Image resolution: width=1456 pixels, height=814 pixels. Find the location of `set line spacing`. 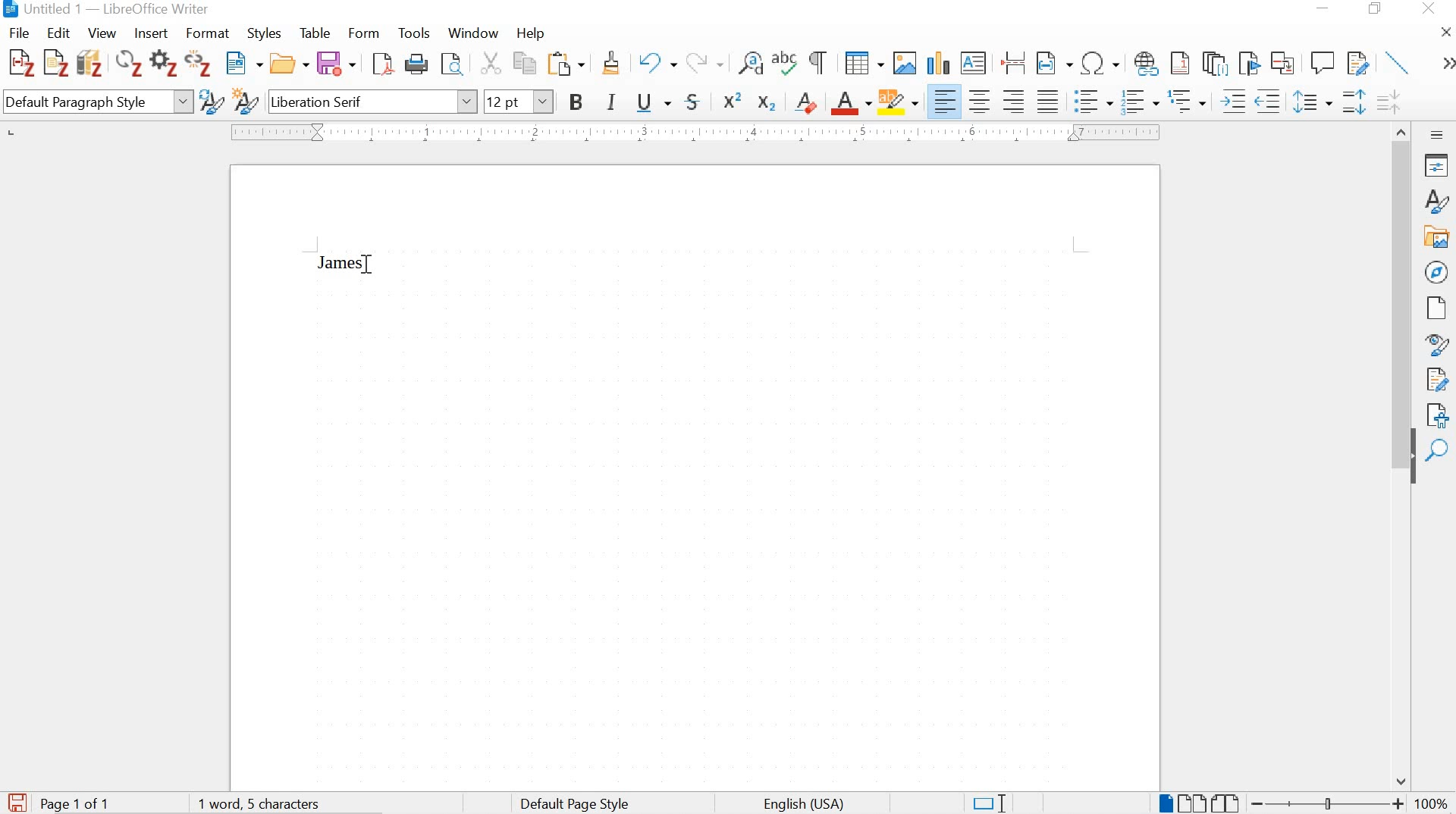

set line spacing is located at coordinates (1311, 102).